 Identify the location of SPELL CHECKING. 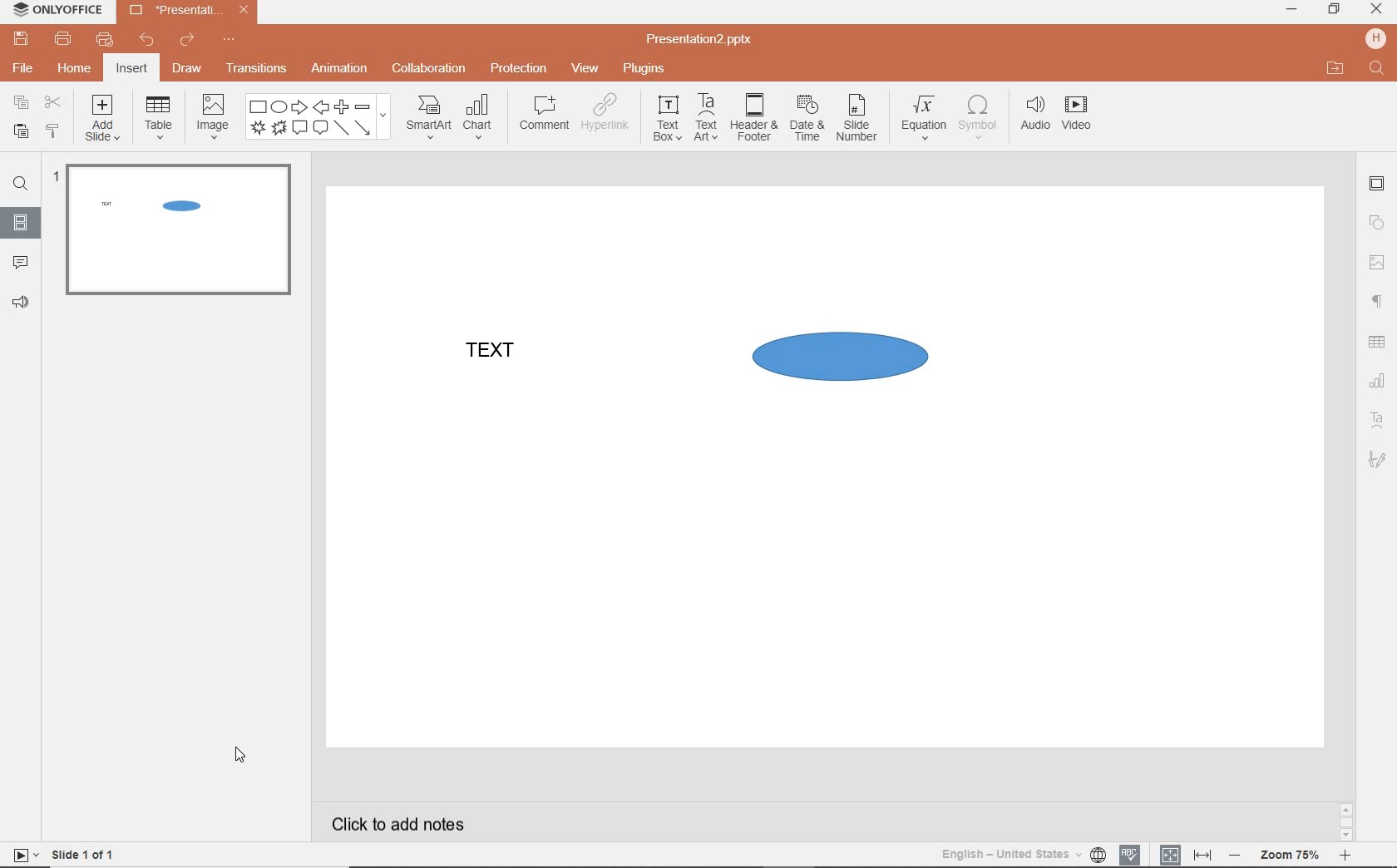
(1132, 854).